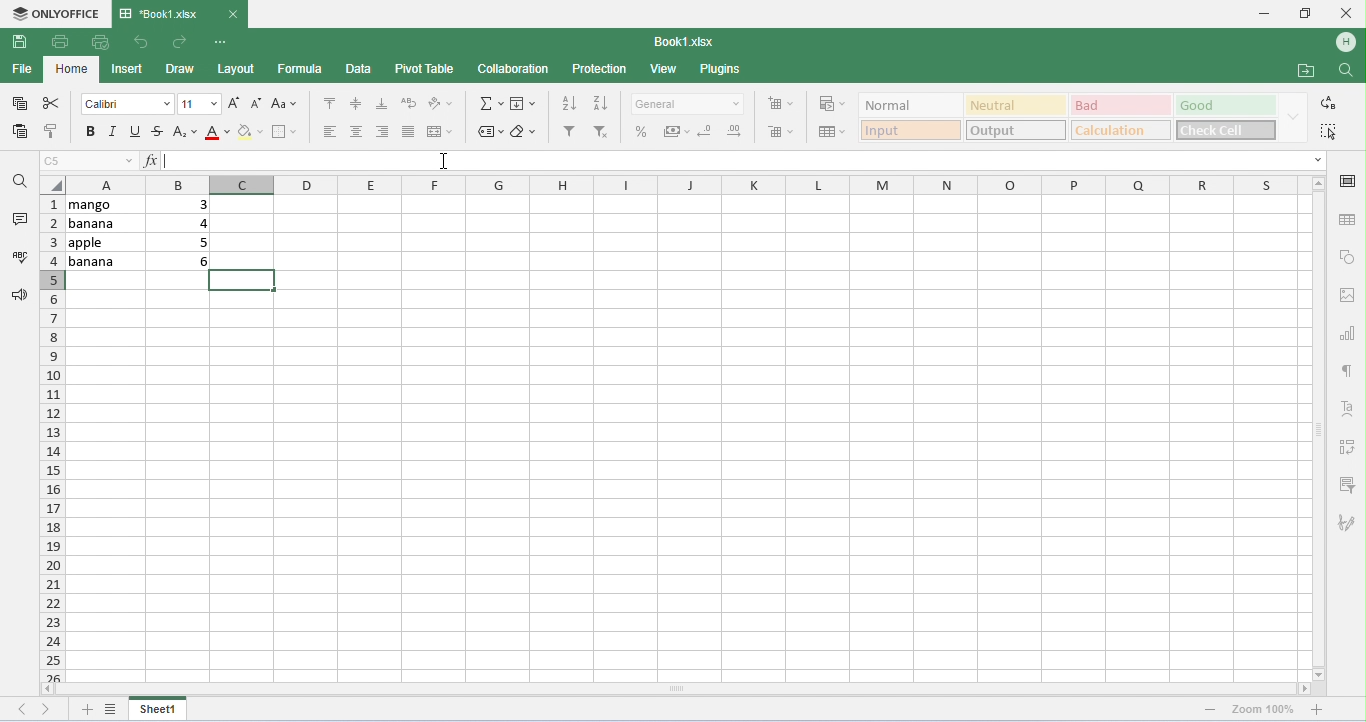 The width and height of the screenshot is (1366, 722). I want to click on print, so click(59, 42).